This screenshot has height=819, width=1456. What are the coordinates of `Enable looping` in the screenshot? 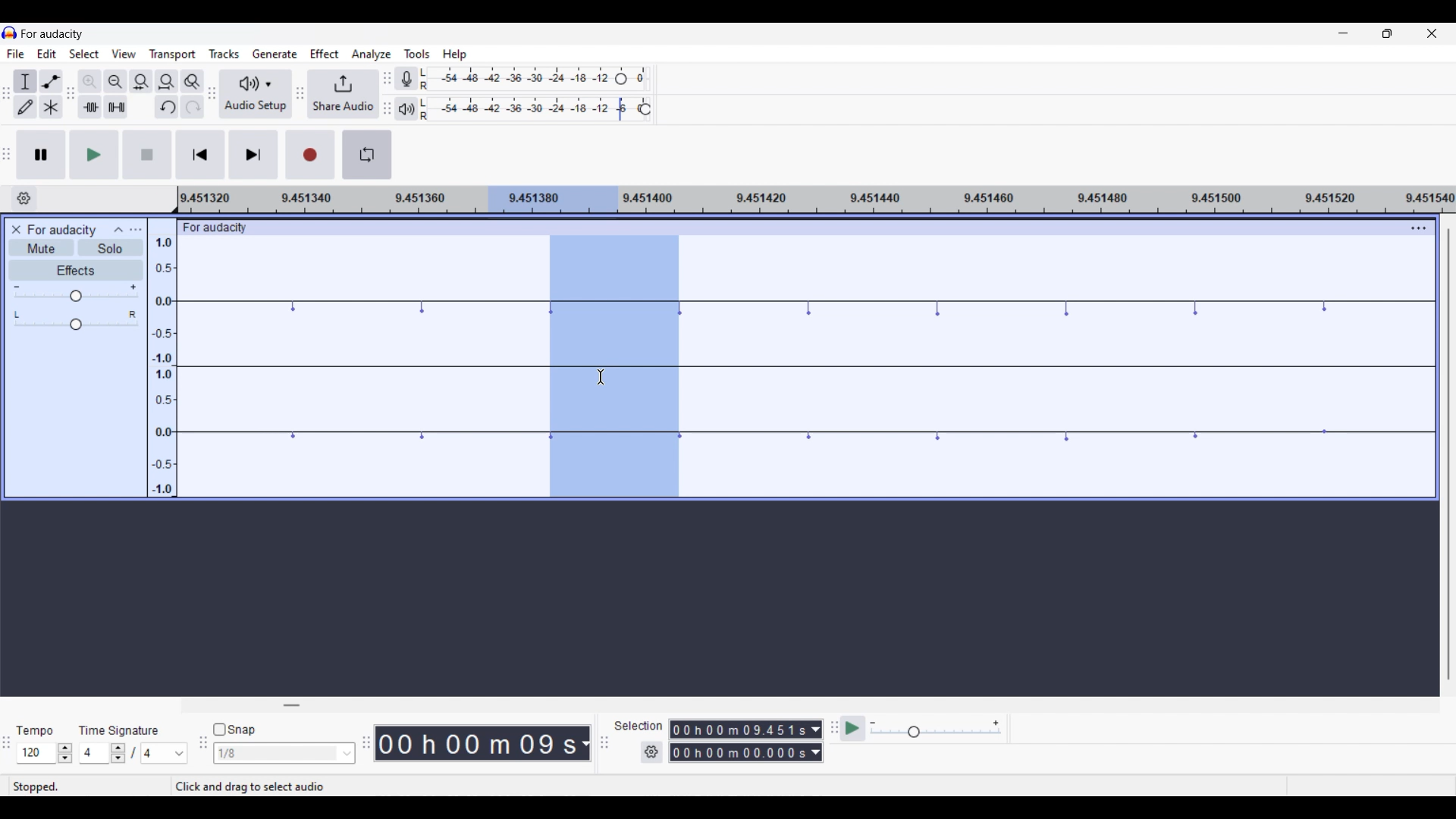 It's located at (367, 155).